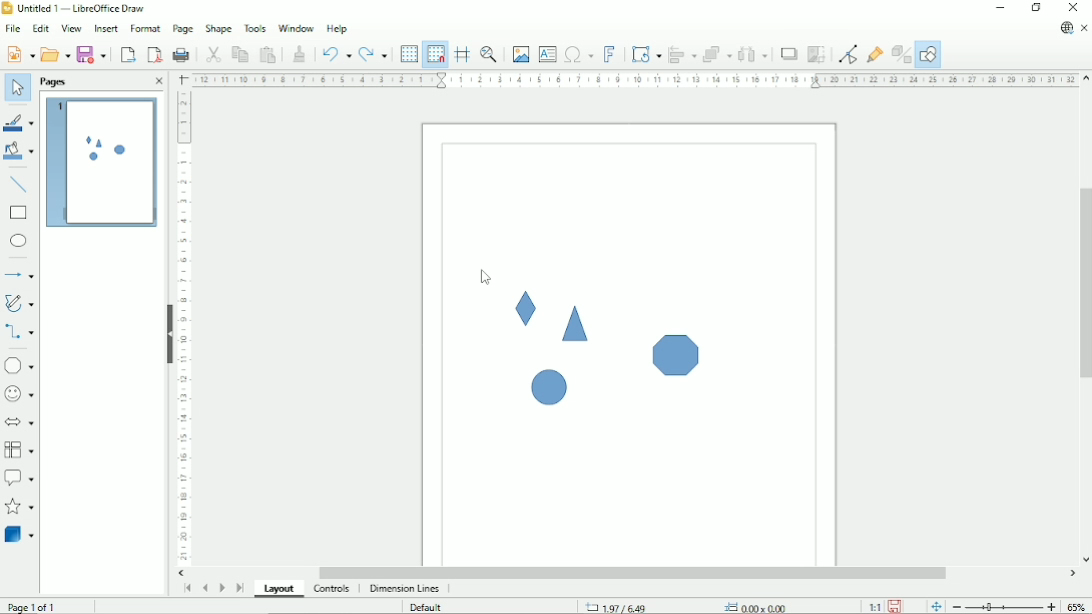 Image resolution: width=1092 pixels, height=614 pixels. Describe the element at coordinates (337, 29) in the screenshot. I see `Help` at that location.